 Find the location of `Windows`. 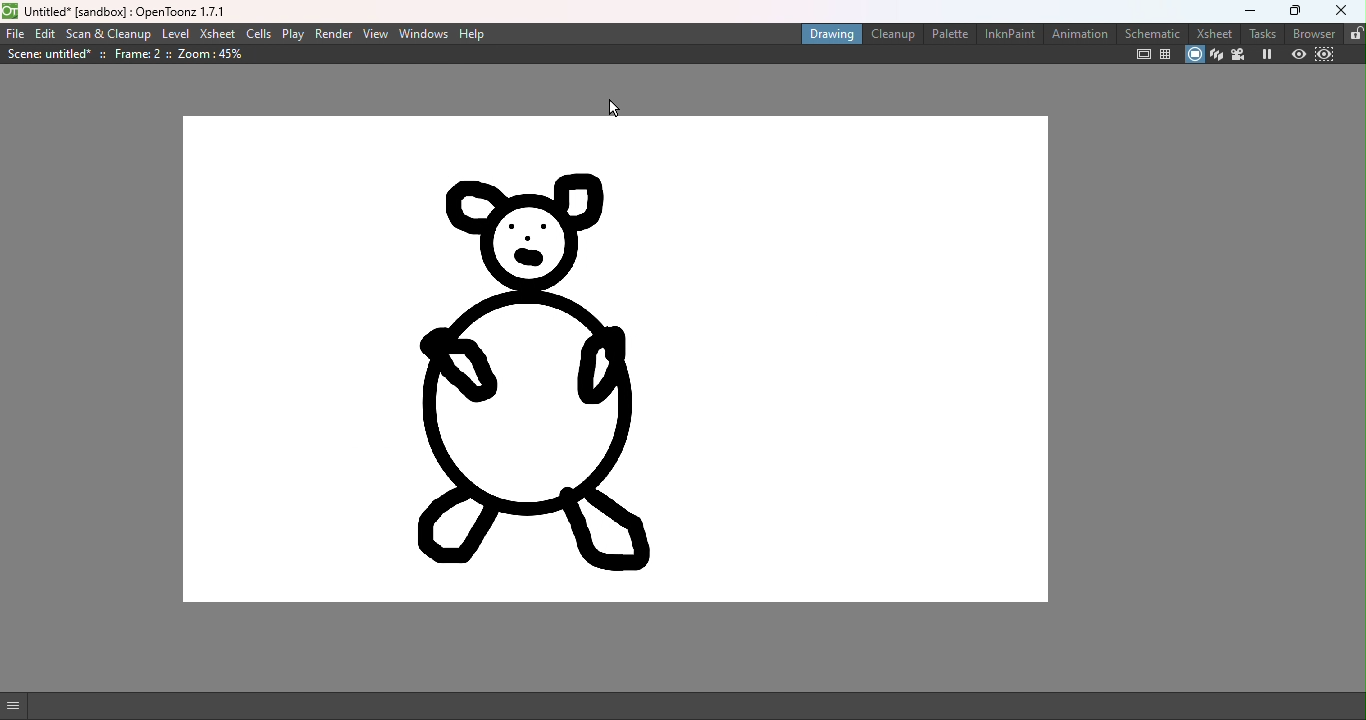

Windows is located at coordinates (423, 34).